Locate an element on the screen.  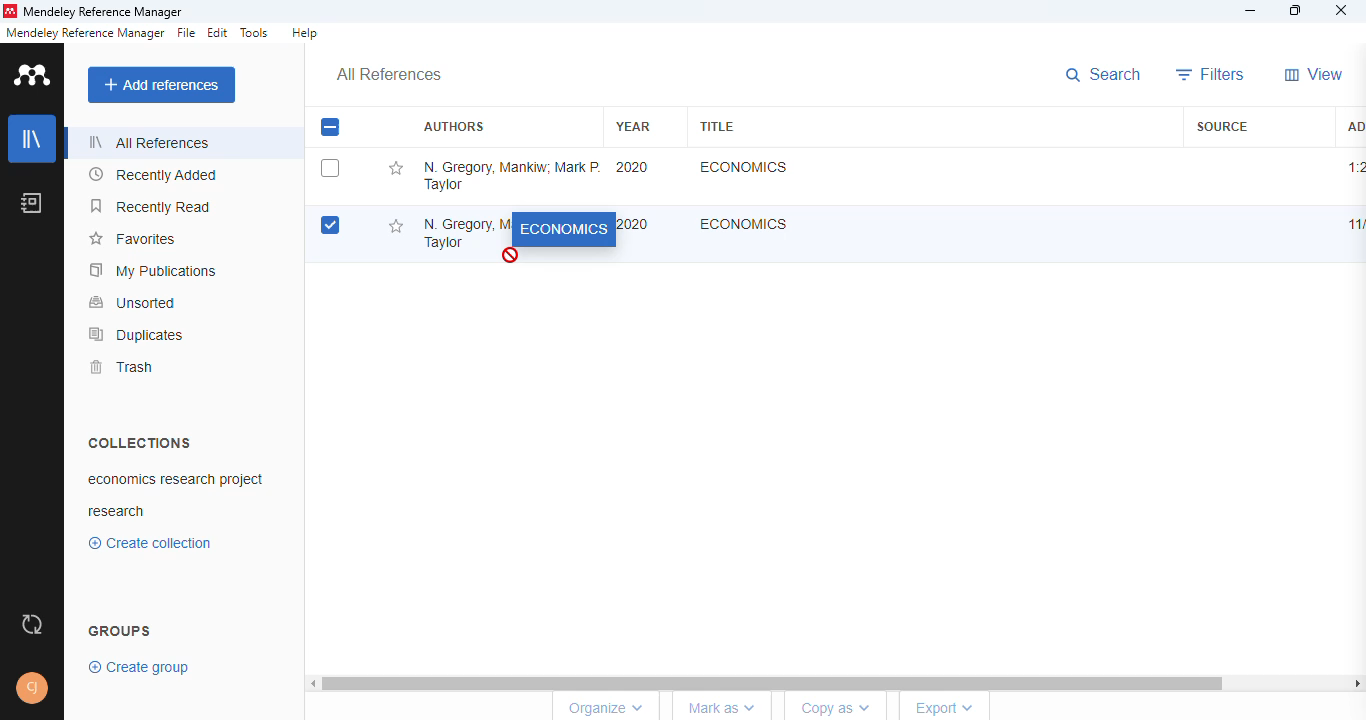
economics is located at coordinates (563, 230).